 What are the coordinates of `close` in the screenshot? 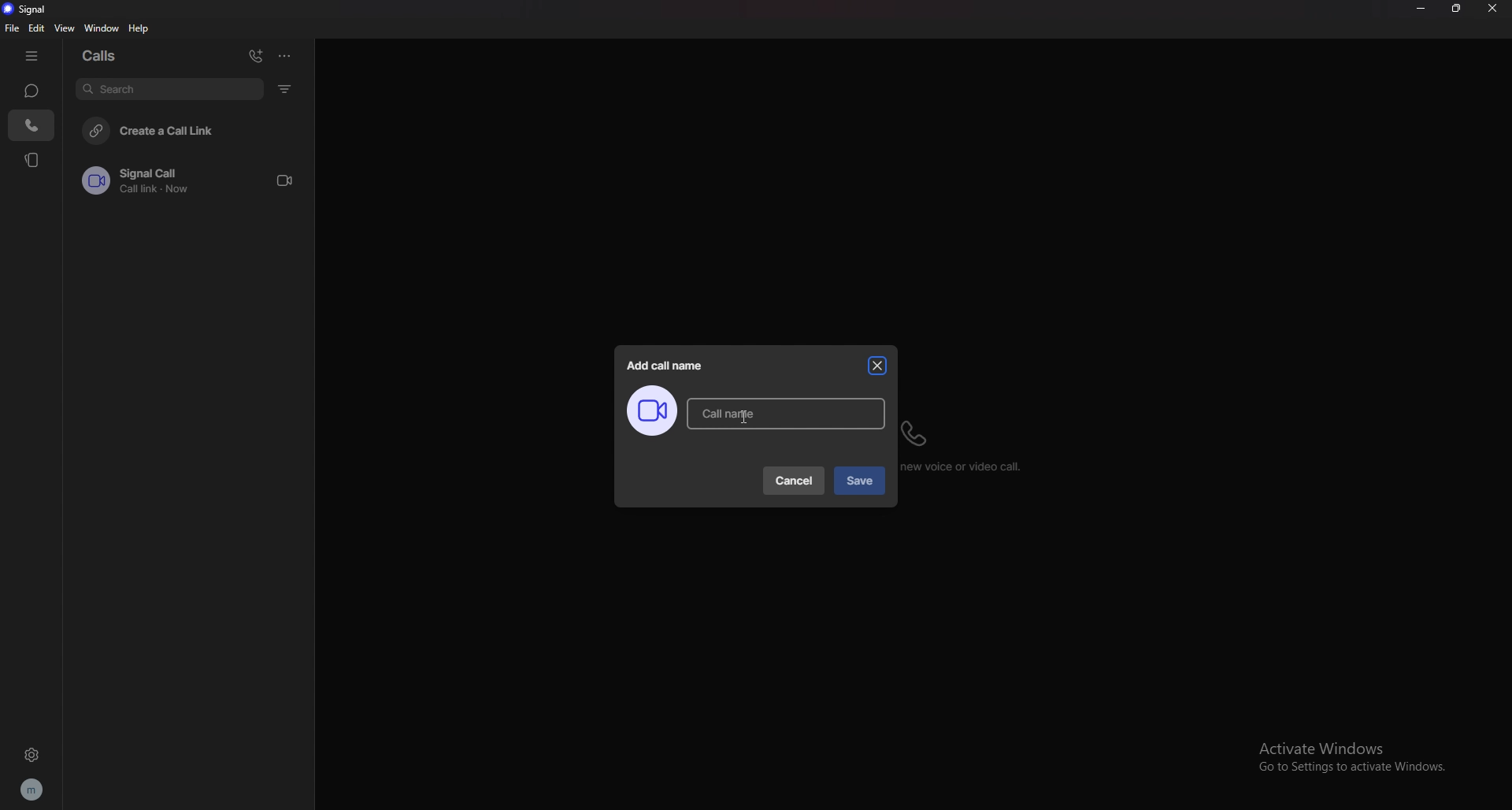 It's located at (878, 366).